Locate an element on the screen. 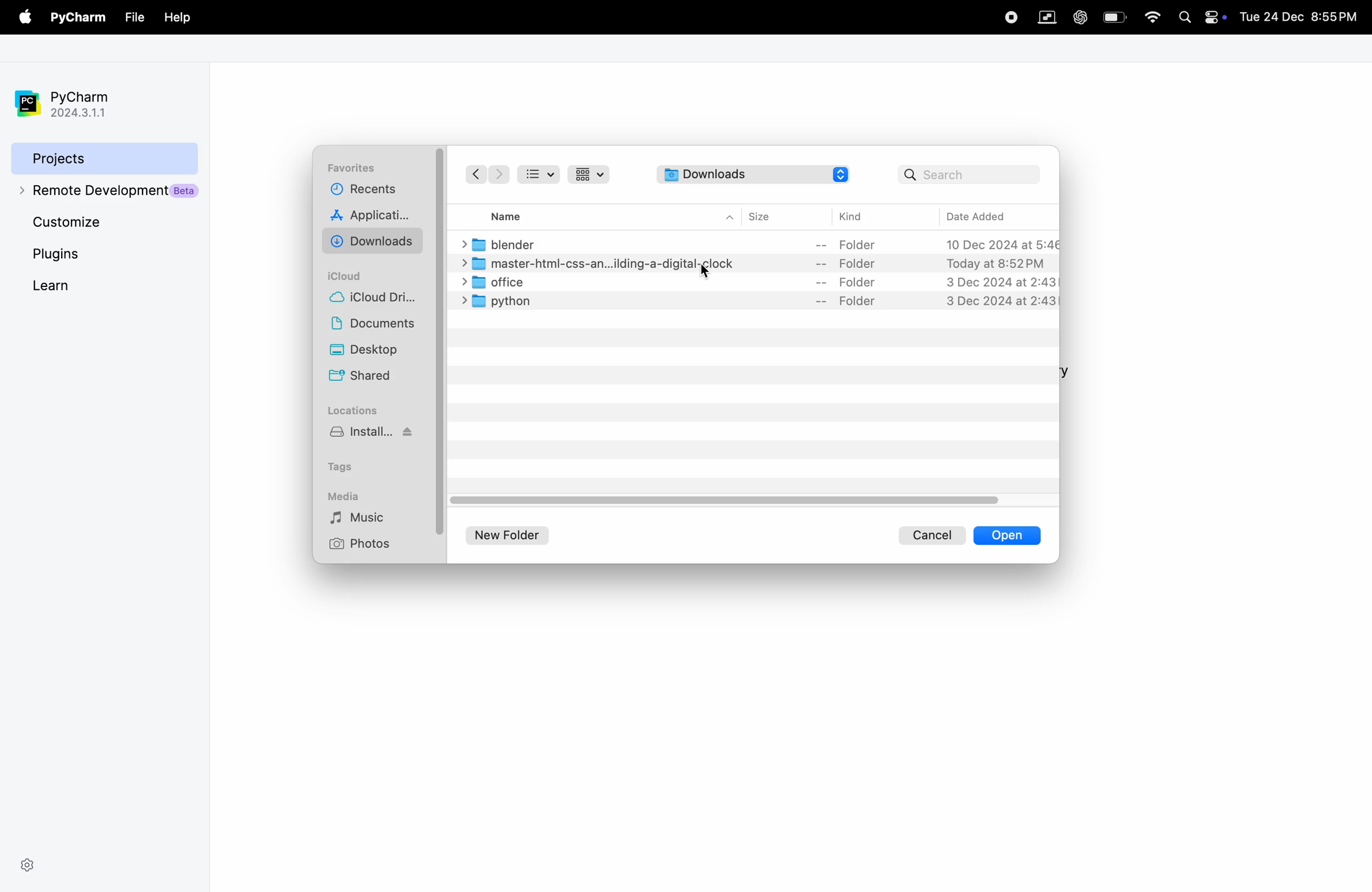  python is located at coordinates (756, 301).